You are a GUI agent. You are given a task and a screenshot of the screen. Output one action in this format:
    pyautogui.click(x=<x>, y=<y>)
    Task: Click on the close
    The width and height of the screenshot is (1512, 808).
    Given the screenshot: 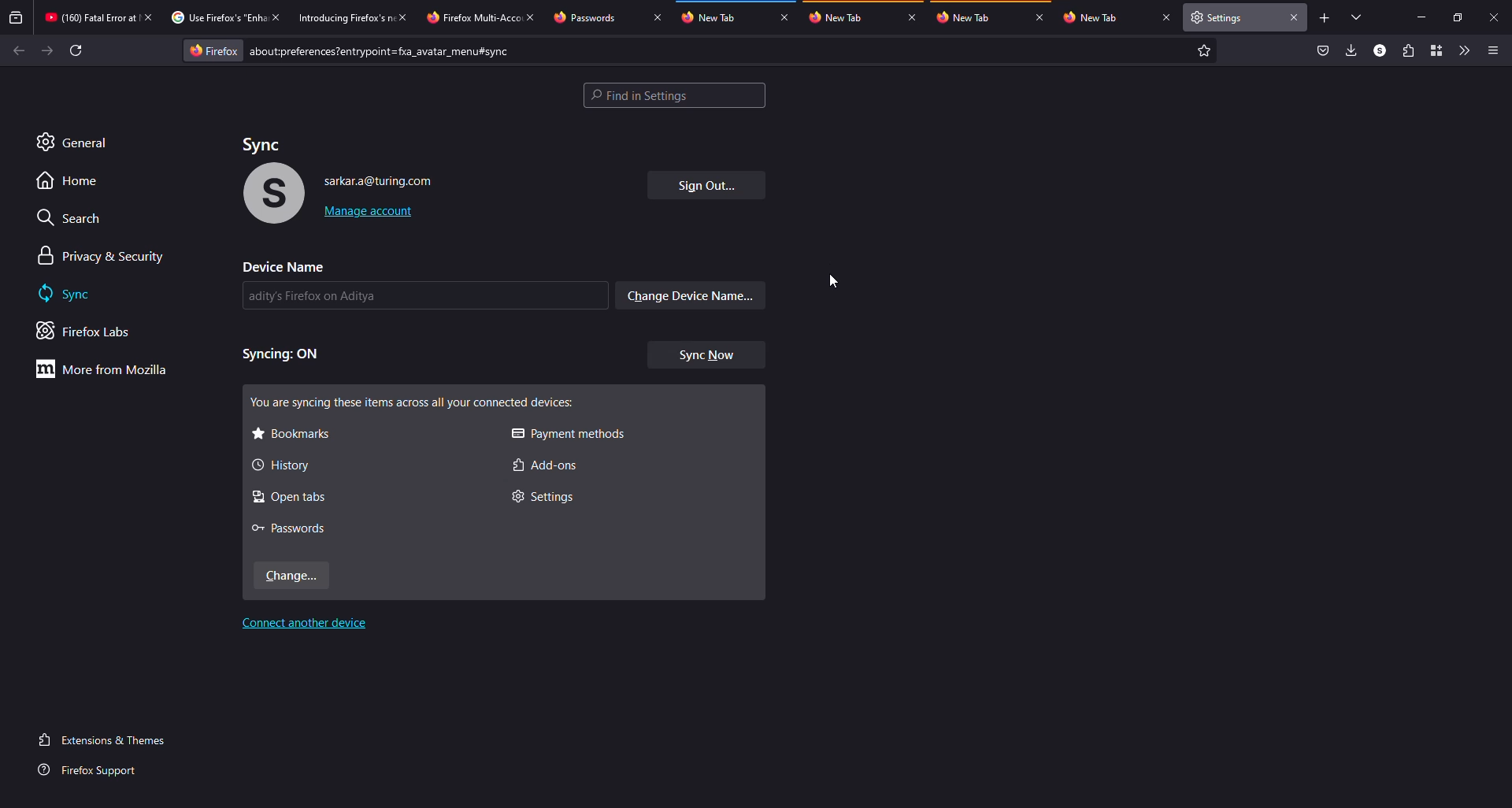 What is the action you would take?
    pyautogui.click(x=402, y=17)
    